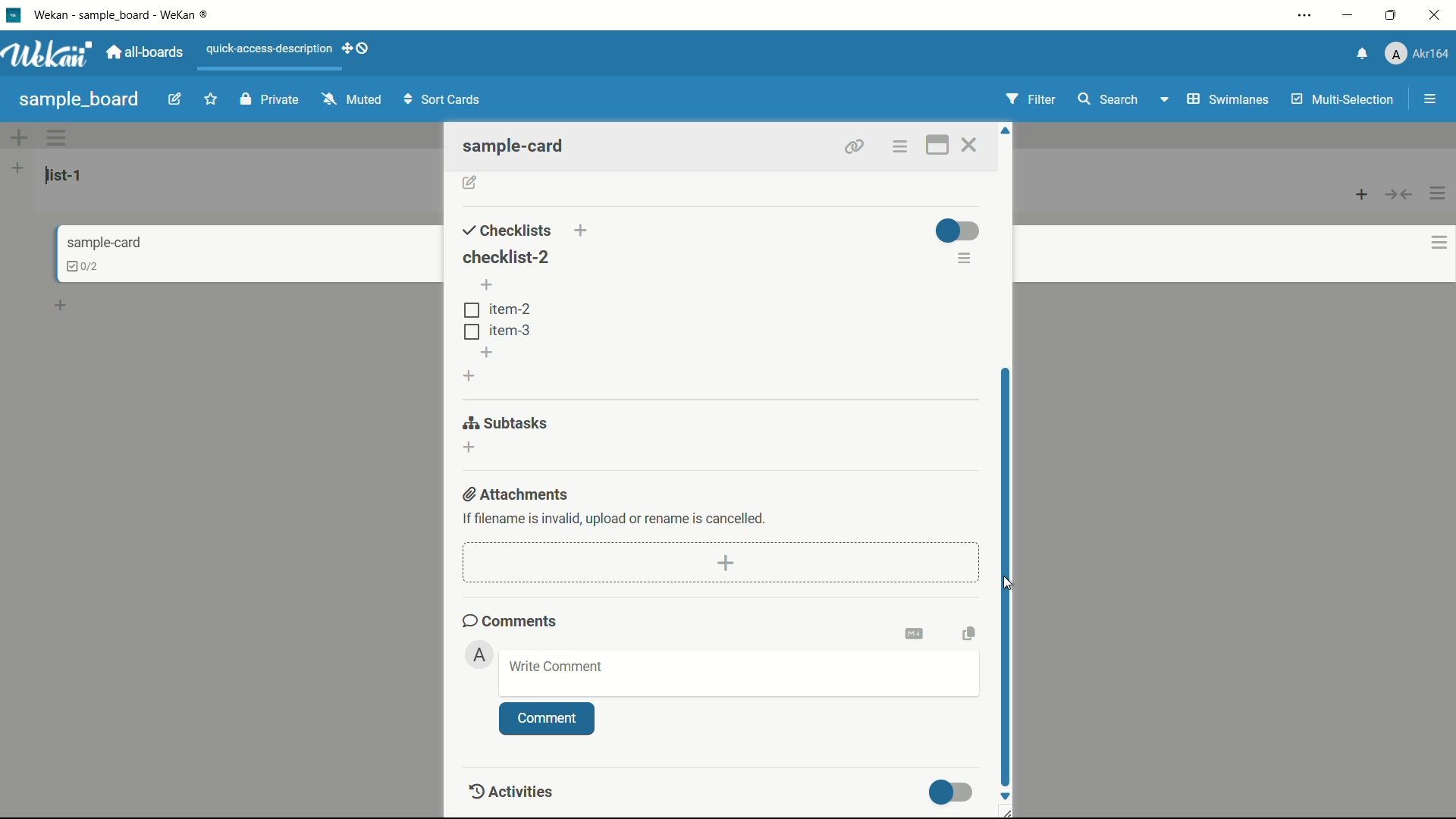 The image size is (1456, 819). What do you see at coordinates (1429, 99) in the screenshot?
I see `show/hide sidebar` at bounding box center [1429, 99].